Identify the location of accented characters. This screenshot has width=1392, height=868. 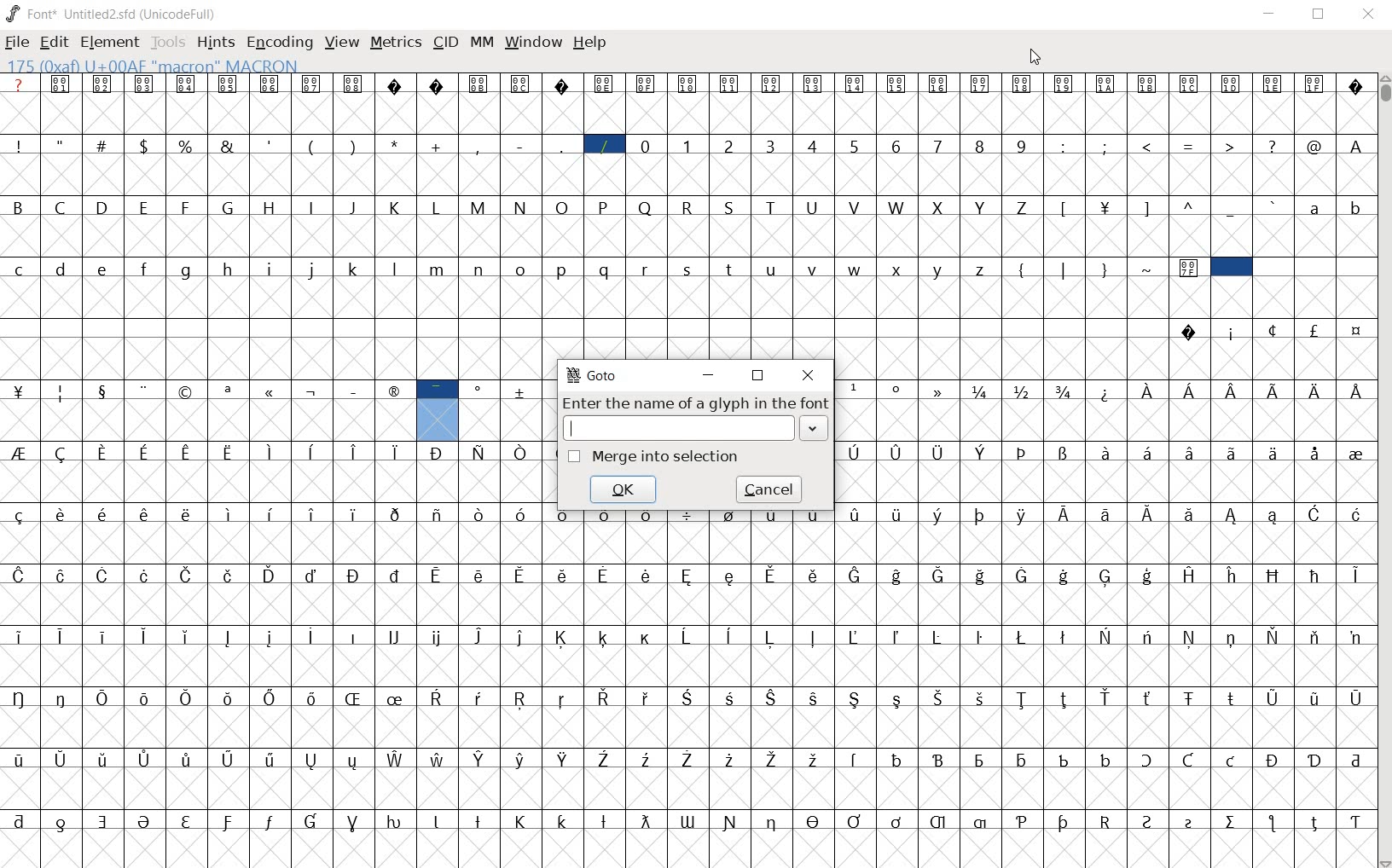
(873, 657).